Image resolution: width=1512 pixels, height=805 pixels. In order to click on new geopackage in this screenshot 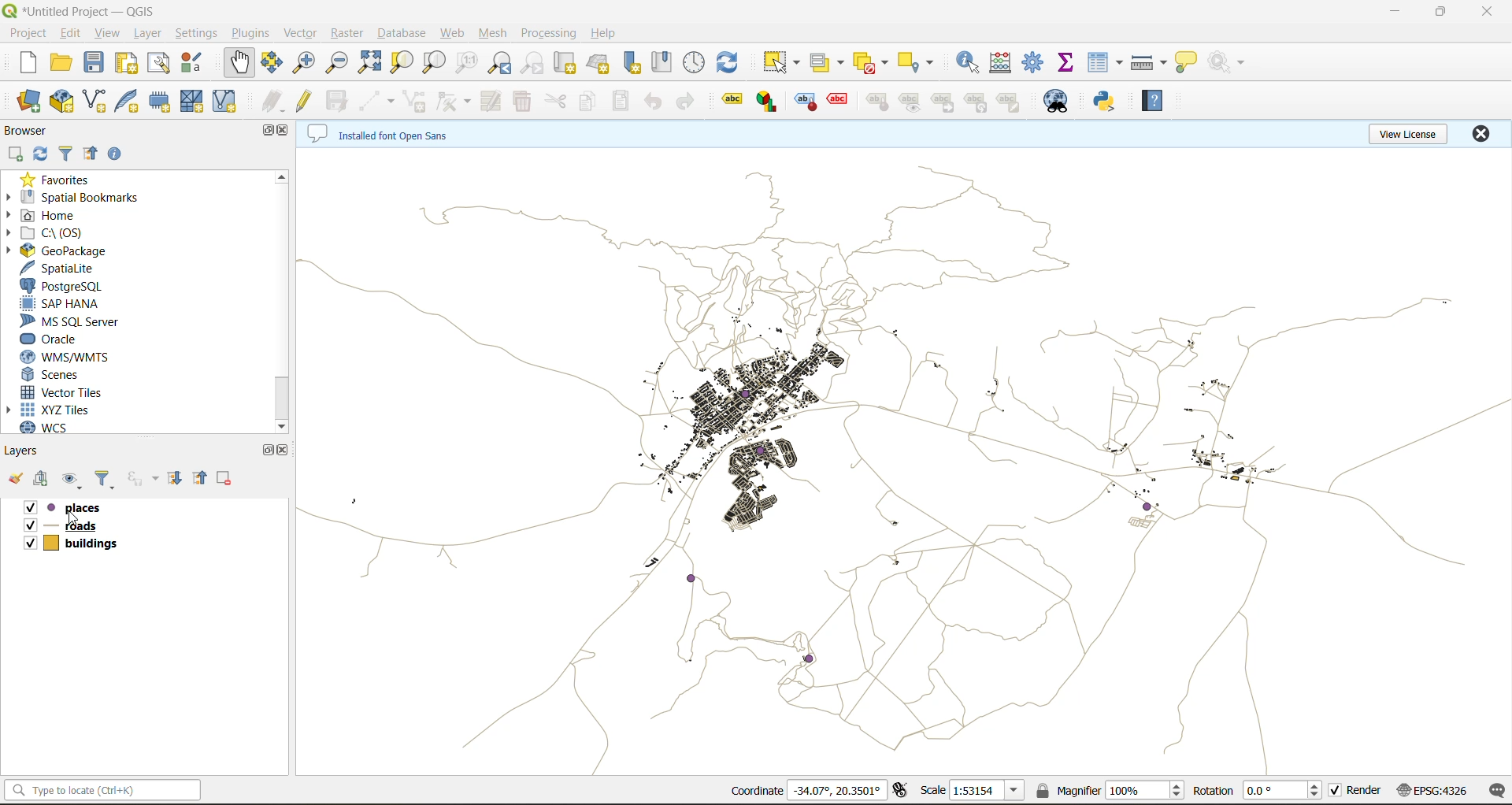, I will do `click(61, 102)`.